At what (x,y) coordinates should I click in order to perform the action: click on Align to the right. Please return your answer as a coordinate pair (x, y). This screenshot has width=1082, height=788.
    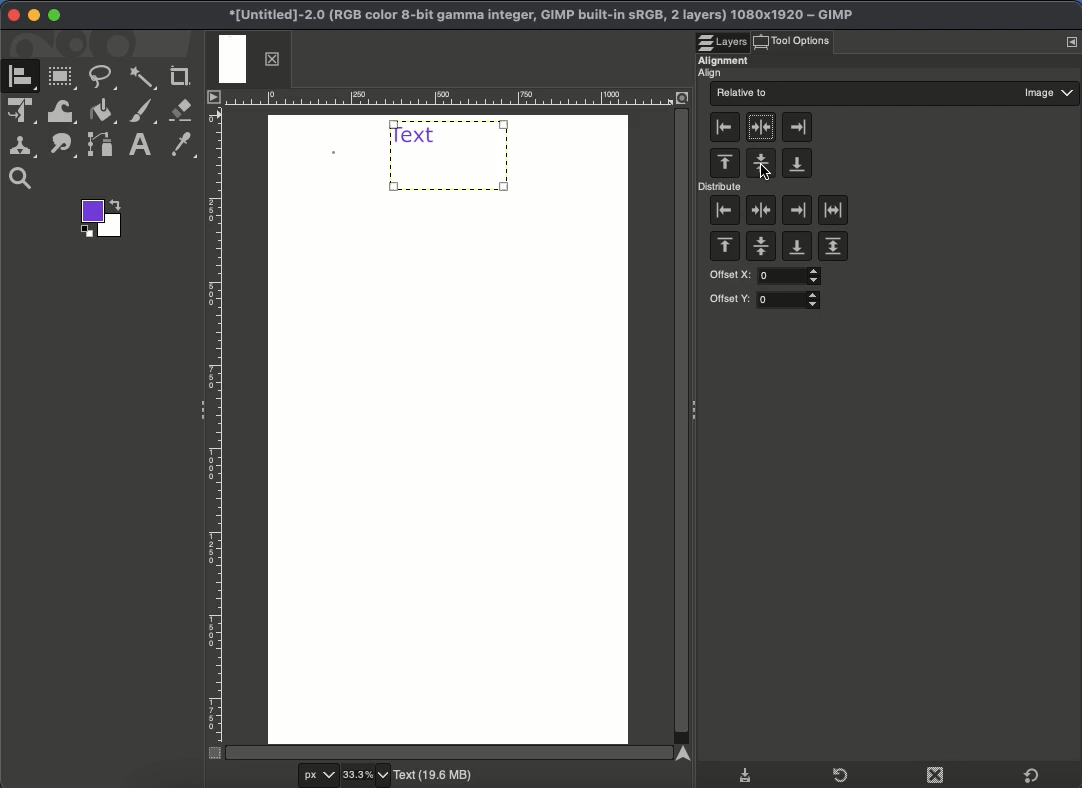
    Looking at the image, I should click on (797, 126).